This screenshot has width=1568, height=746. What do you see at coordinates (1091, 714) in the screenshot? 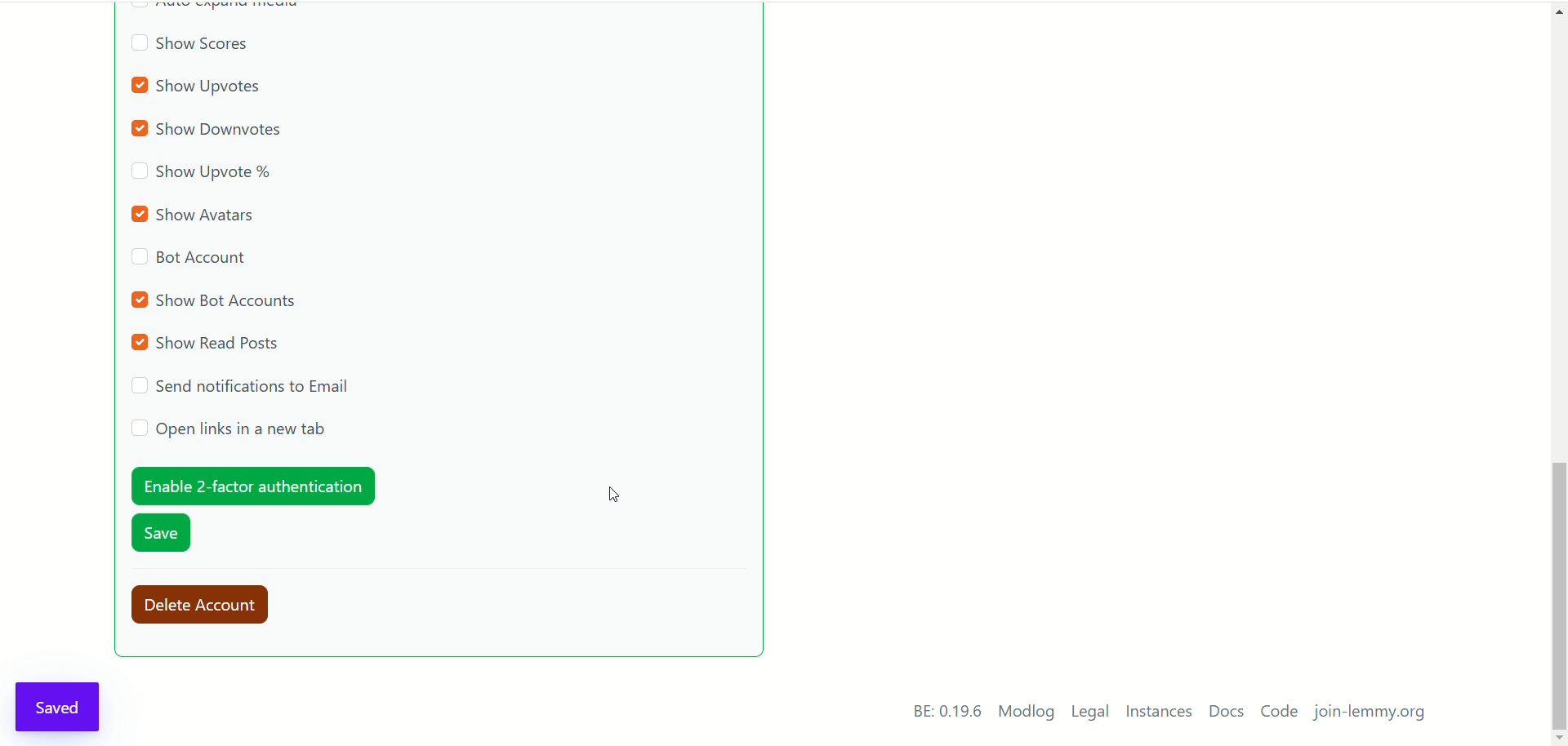
I see `legal` at bounding box center [1091, 714].